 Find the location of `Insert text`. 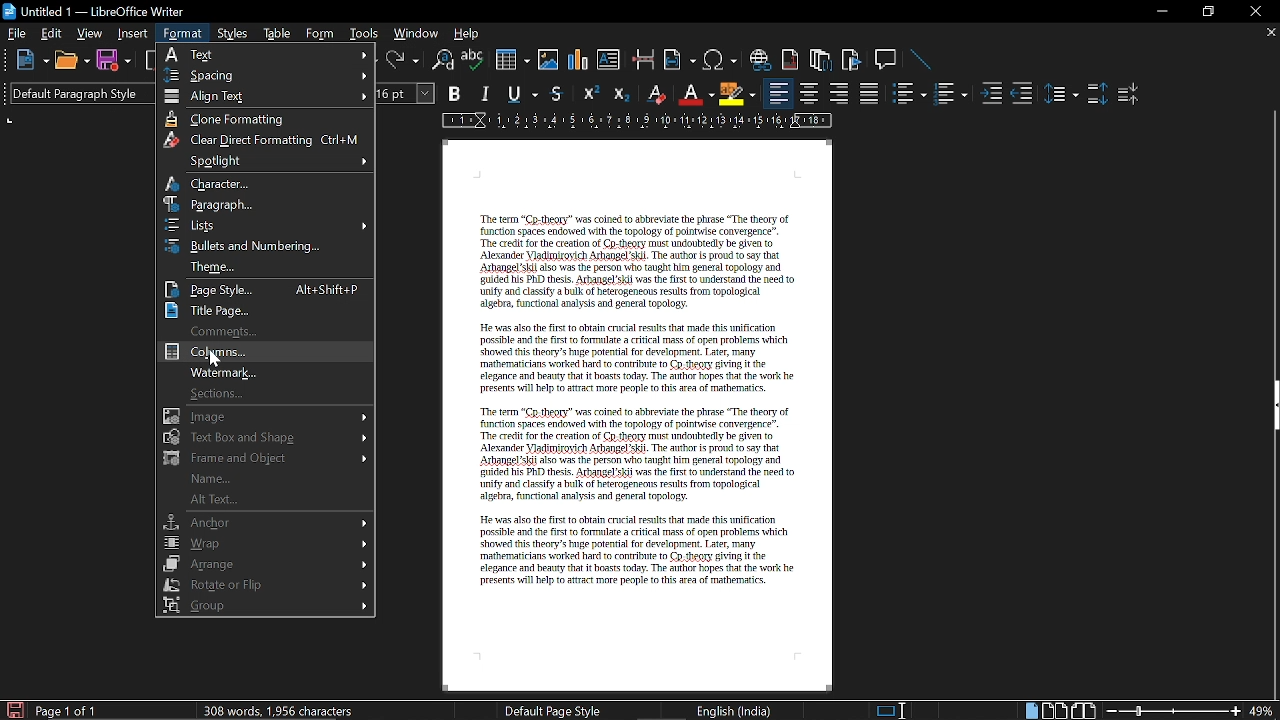

Insert text is located at coordinates (610, 61).